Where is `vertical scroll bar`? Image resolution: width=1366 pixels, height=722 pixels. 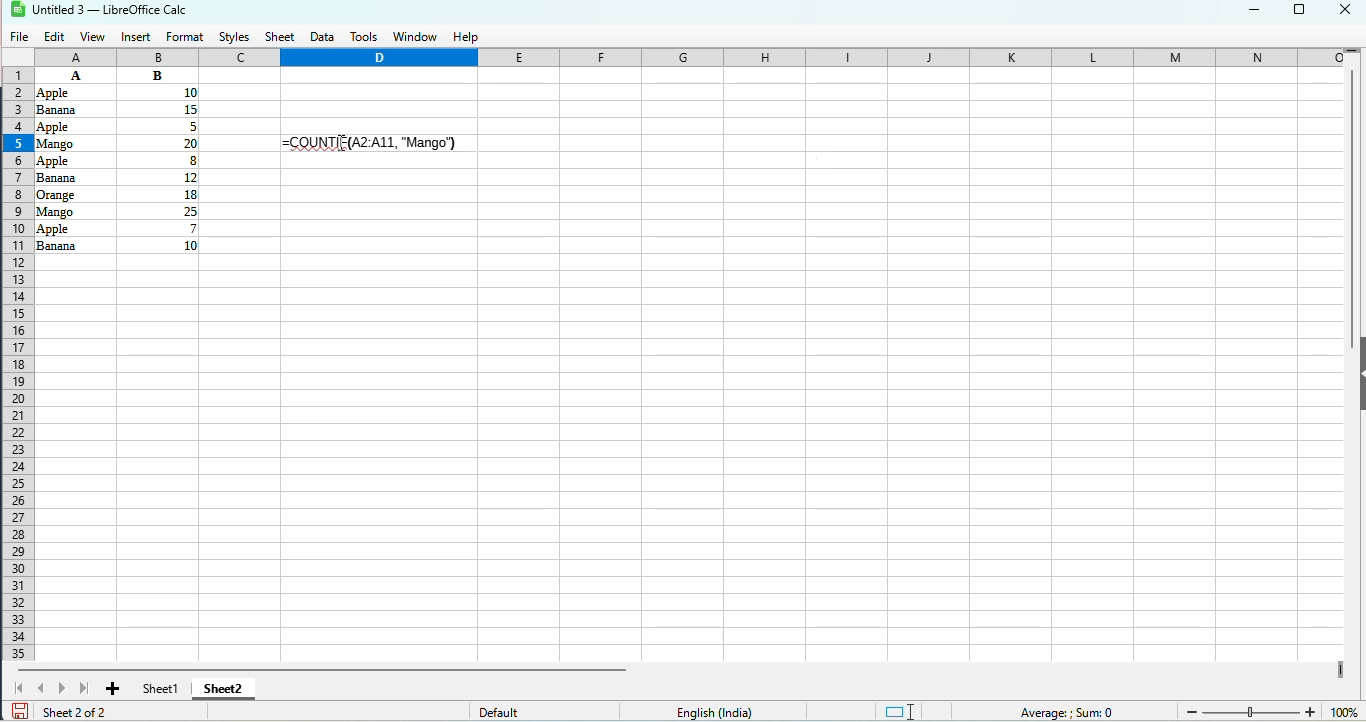
vertical scroll bar is located at coordinates (1353, 210).